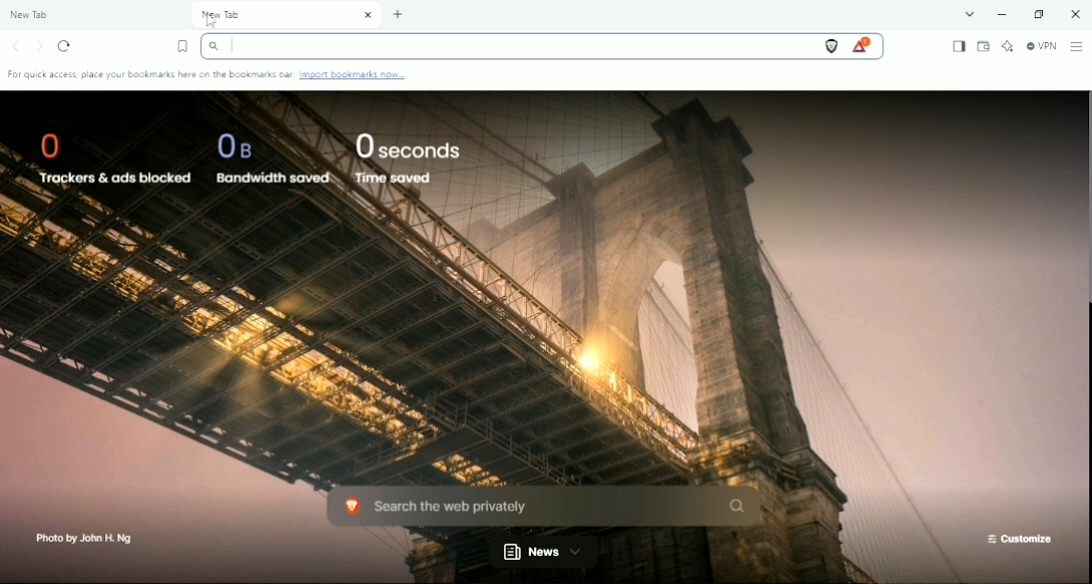 The width and height of the screenshot is (1092, 584). I want to click on 0 seconds Time saved, so click(406, 159).